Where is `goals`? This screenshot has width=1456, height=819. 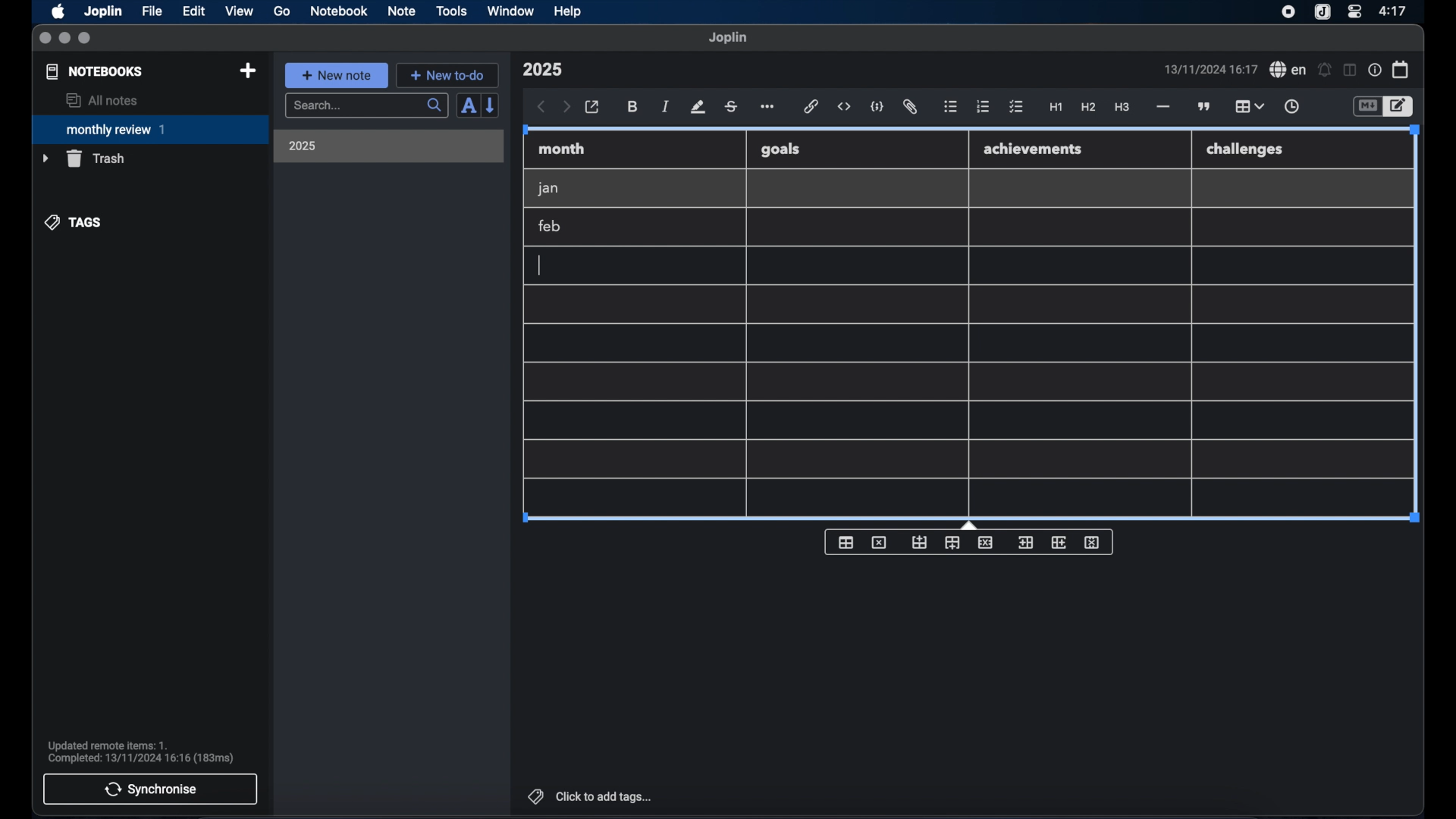
goals is located at coordinates (780, 149).